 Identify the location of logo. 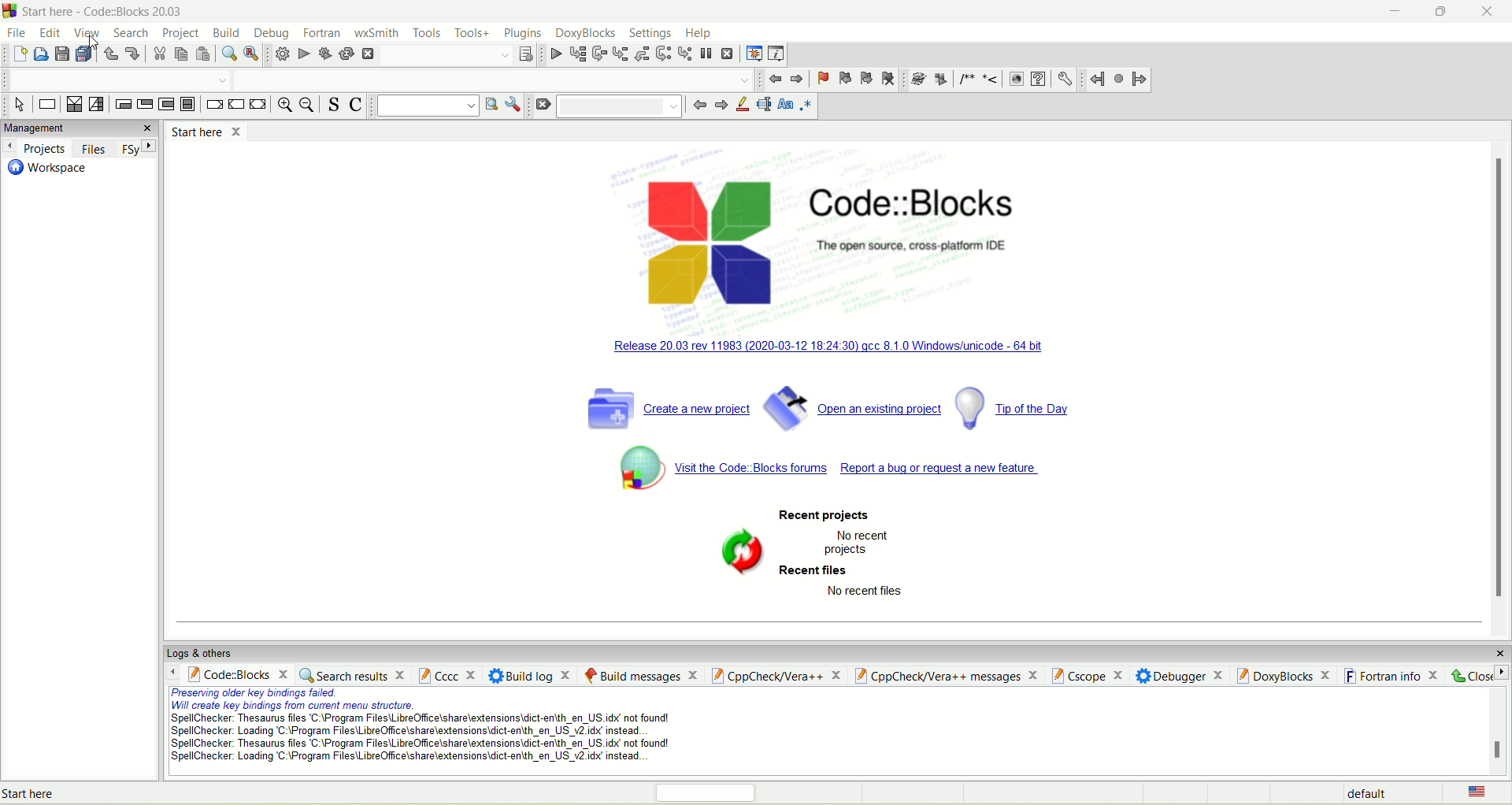
(11, 11).